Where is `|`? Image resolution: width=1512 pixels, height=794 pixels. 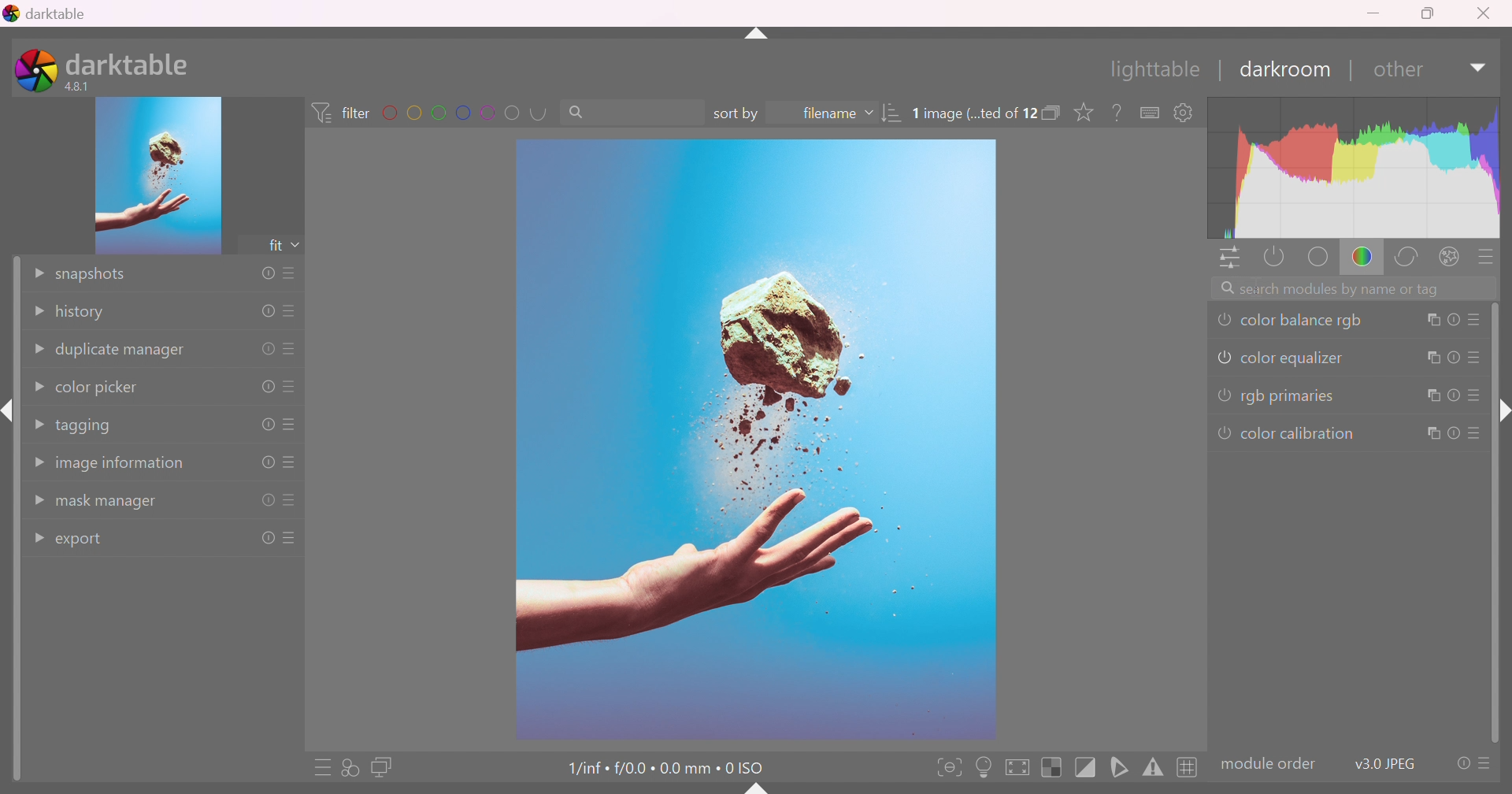 | is located at coordinates (1354, 70).